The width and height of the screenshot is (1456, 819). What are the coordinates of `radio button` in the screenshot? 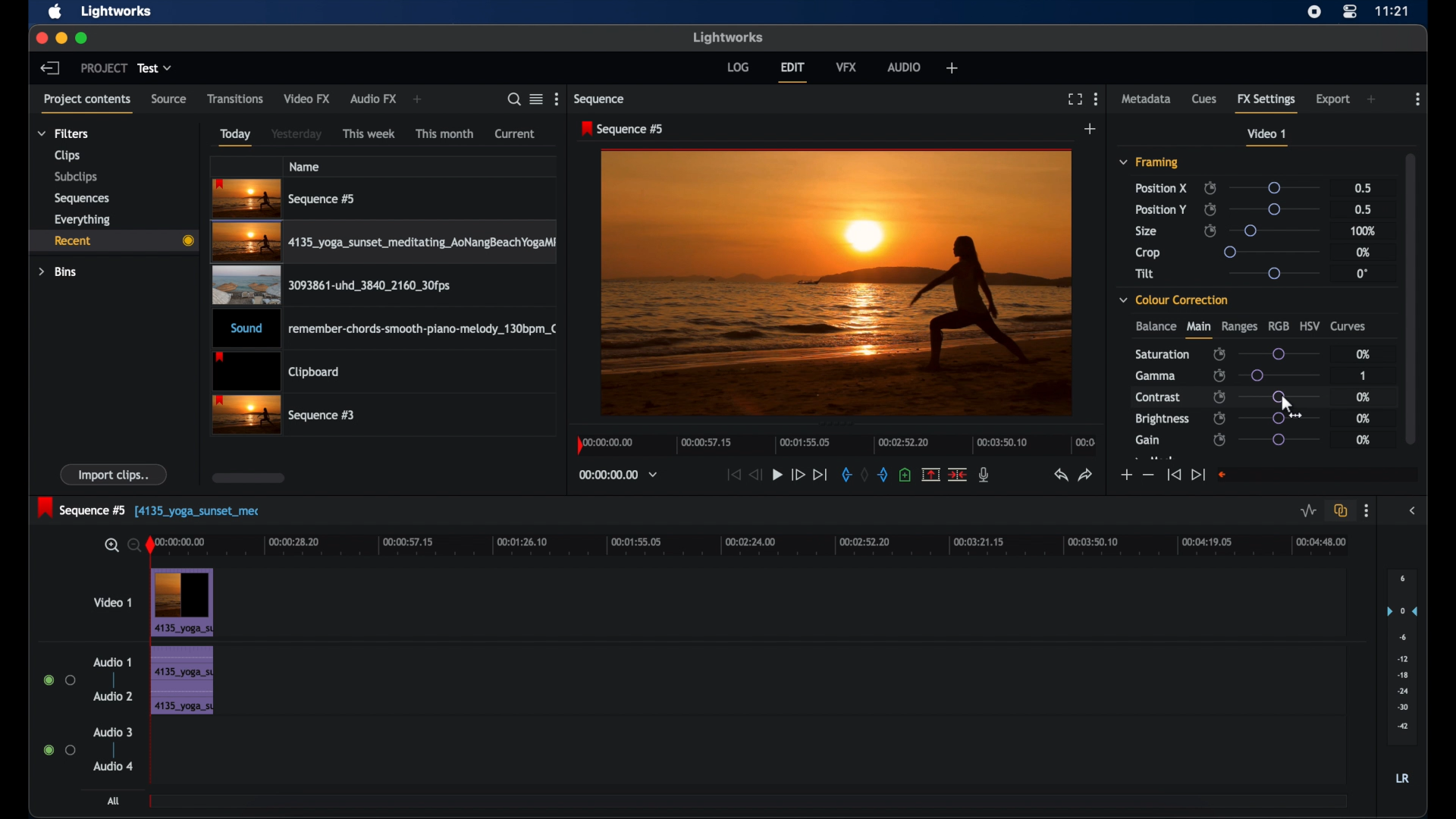 It's located at (59, 749).